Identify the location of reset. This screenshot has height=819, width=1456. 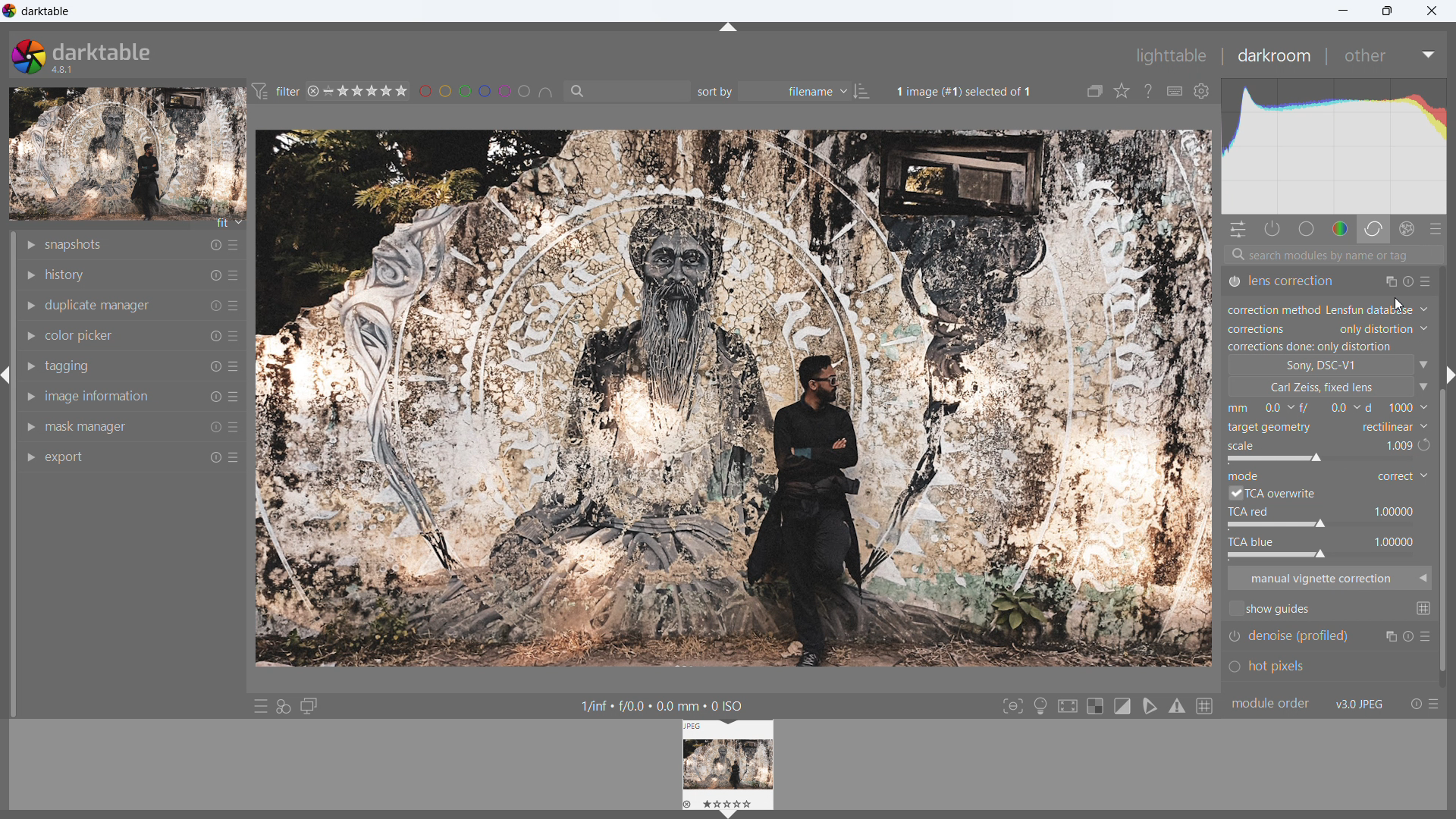
(215, 454).